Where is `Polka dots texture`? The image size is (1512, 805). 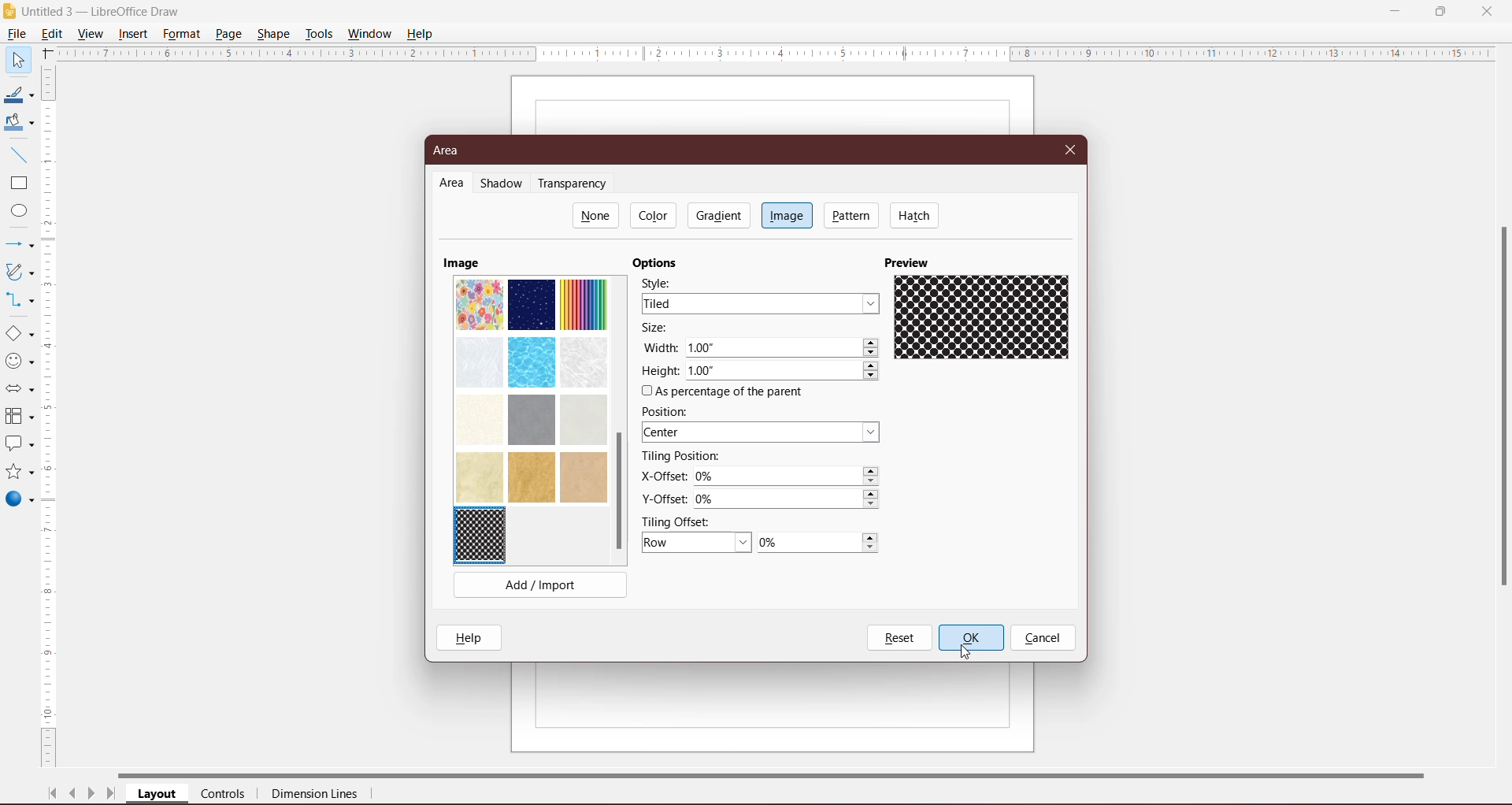 Polka dots texture is located at coordinates (483, 536).